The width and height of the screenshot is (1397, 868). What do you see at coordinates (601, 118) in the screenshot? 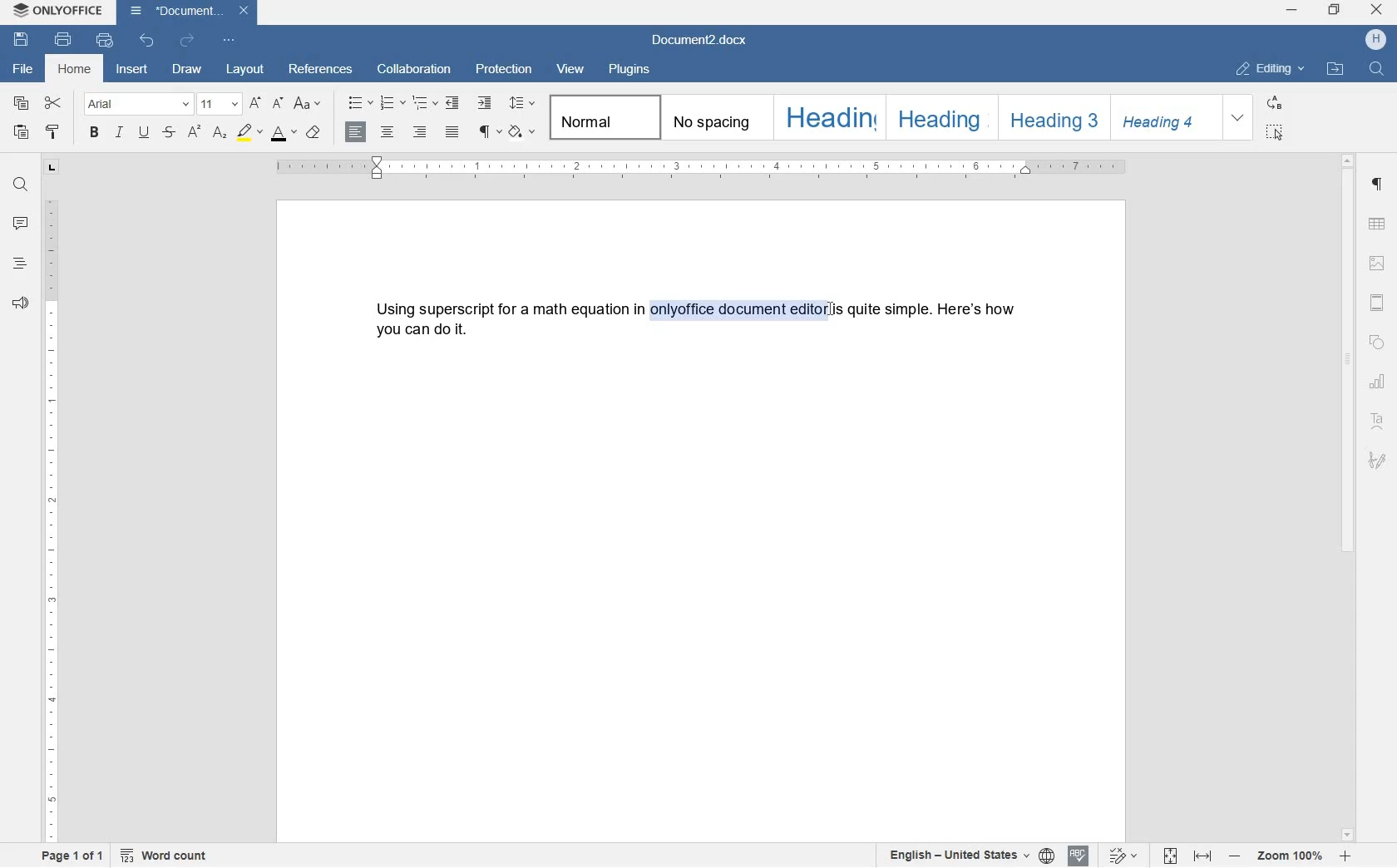
I see `normal` at bounding box center [601, 118].